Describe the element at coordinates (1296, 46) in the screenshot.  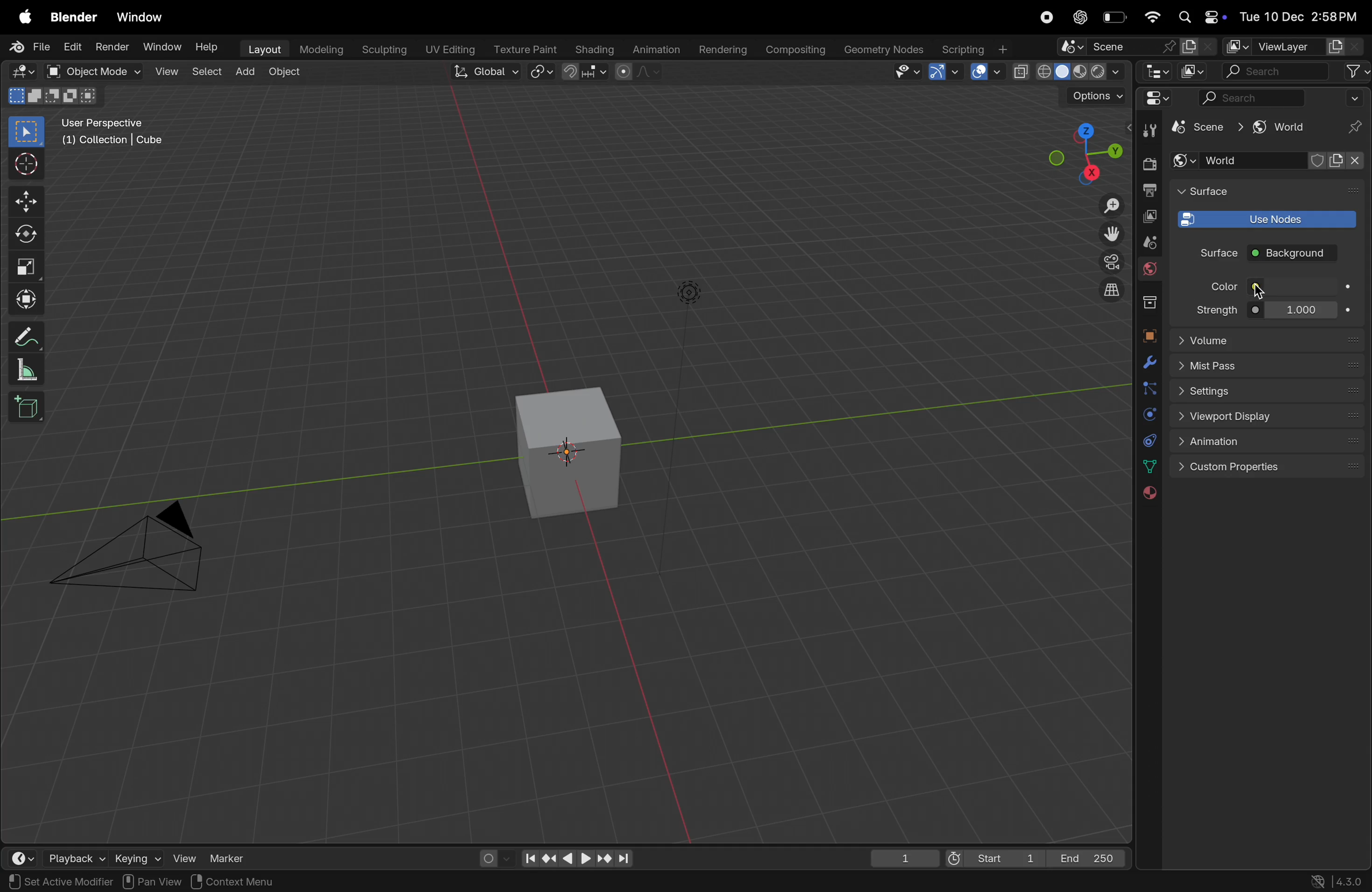
I see `View layer` at that location.